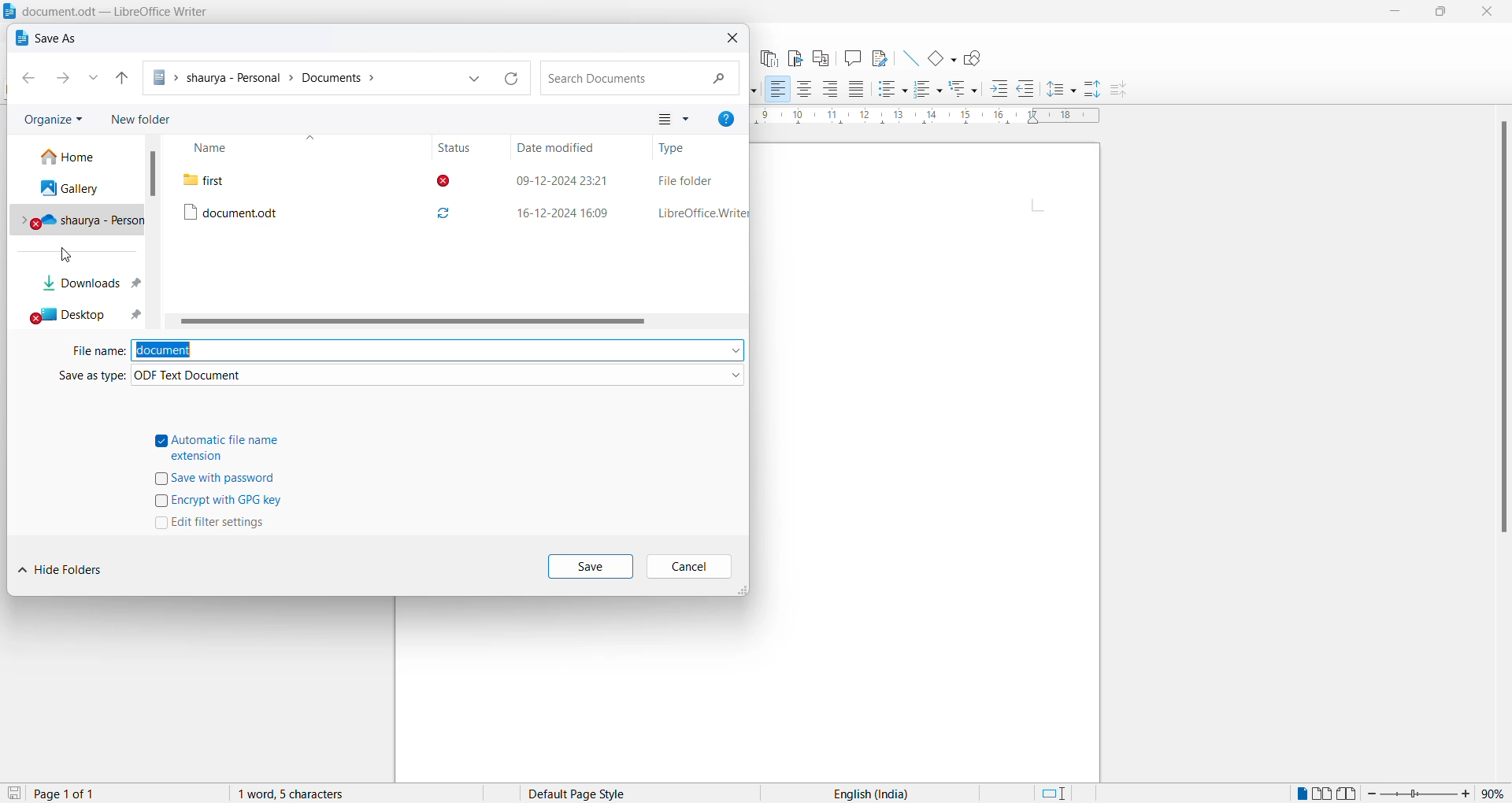 The image size is (1512, 803). Describe the element at coordinates (942, 60) in the screenshot. I see `Insert rectangle` at that location.